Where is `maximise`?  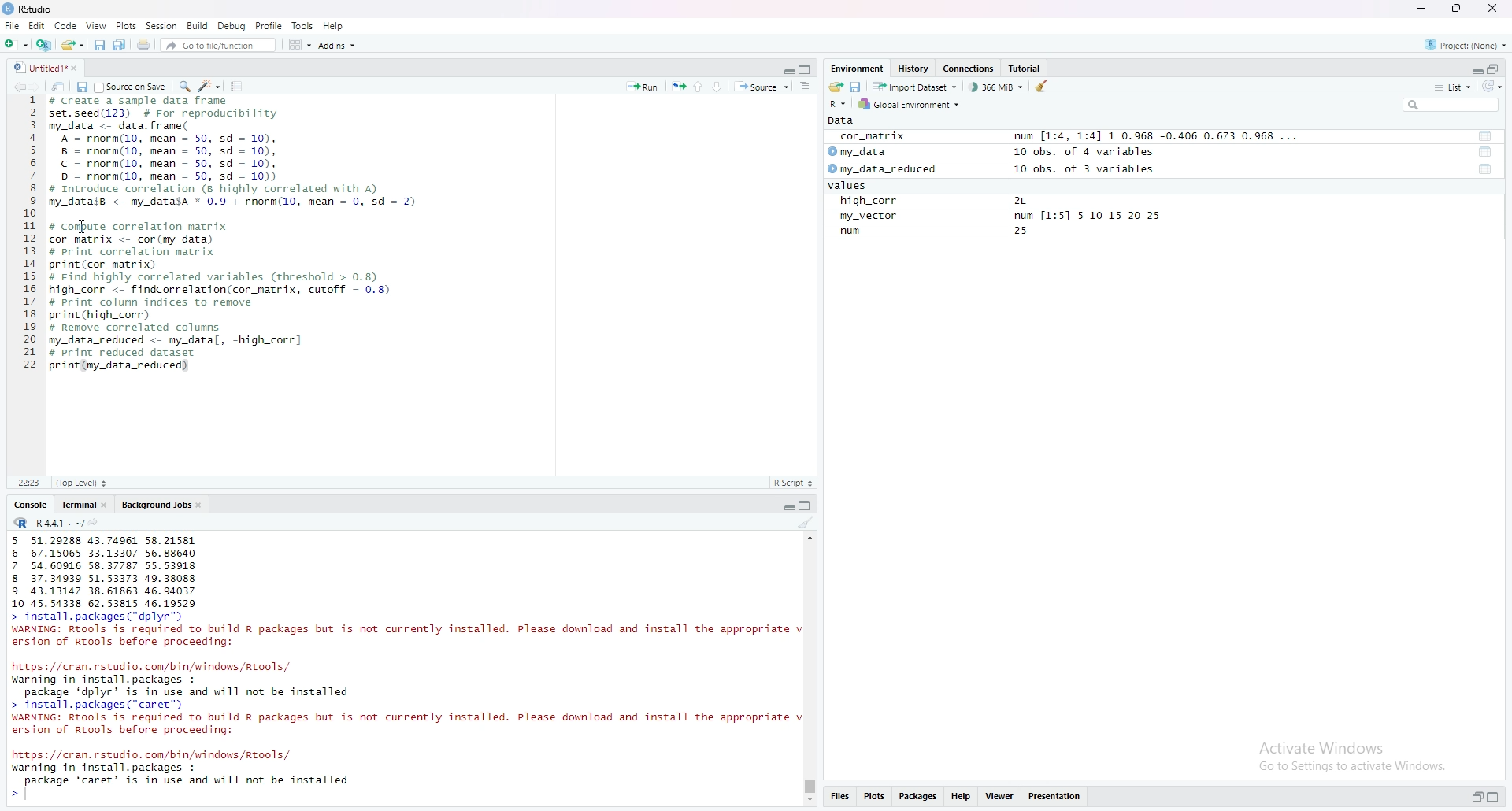
maximise is located at coordinates (1458, 8).